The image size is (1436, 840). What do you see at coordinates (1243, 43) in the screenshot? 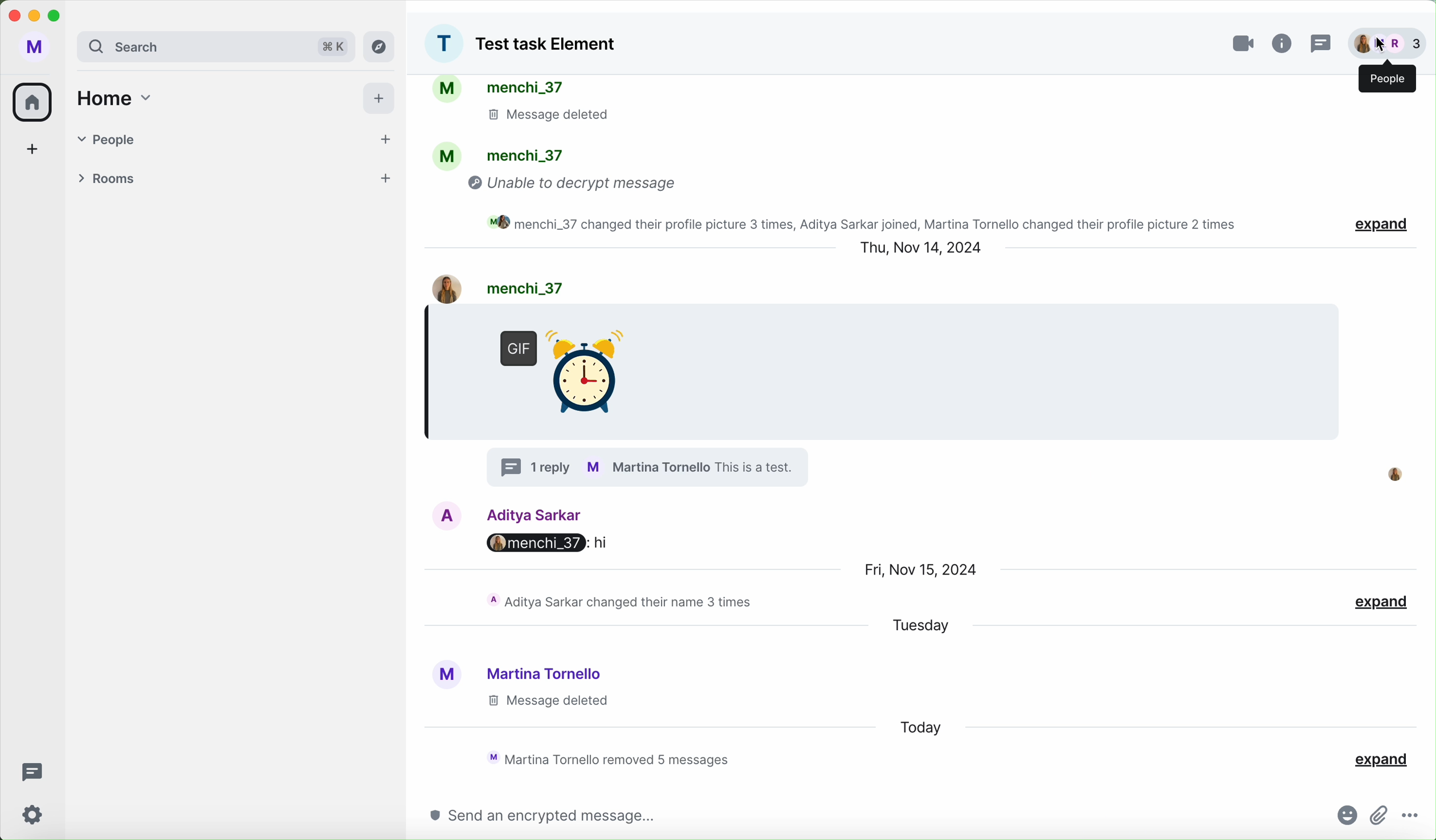
I see `video call` at bounding box center [1243, 43].